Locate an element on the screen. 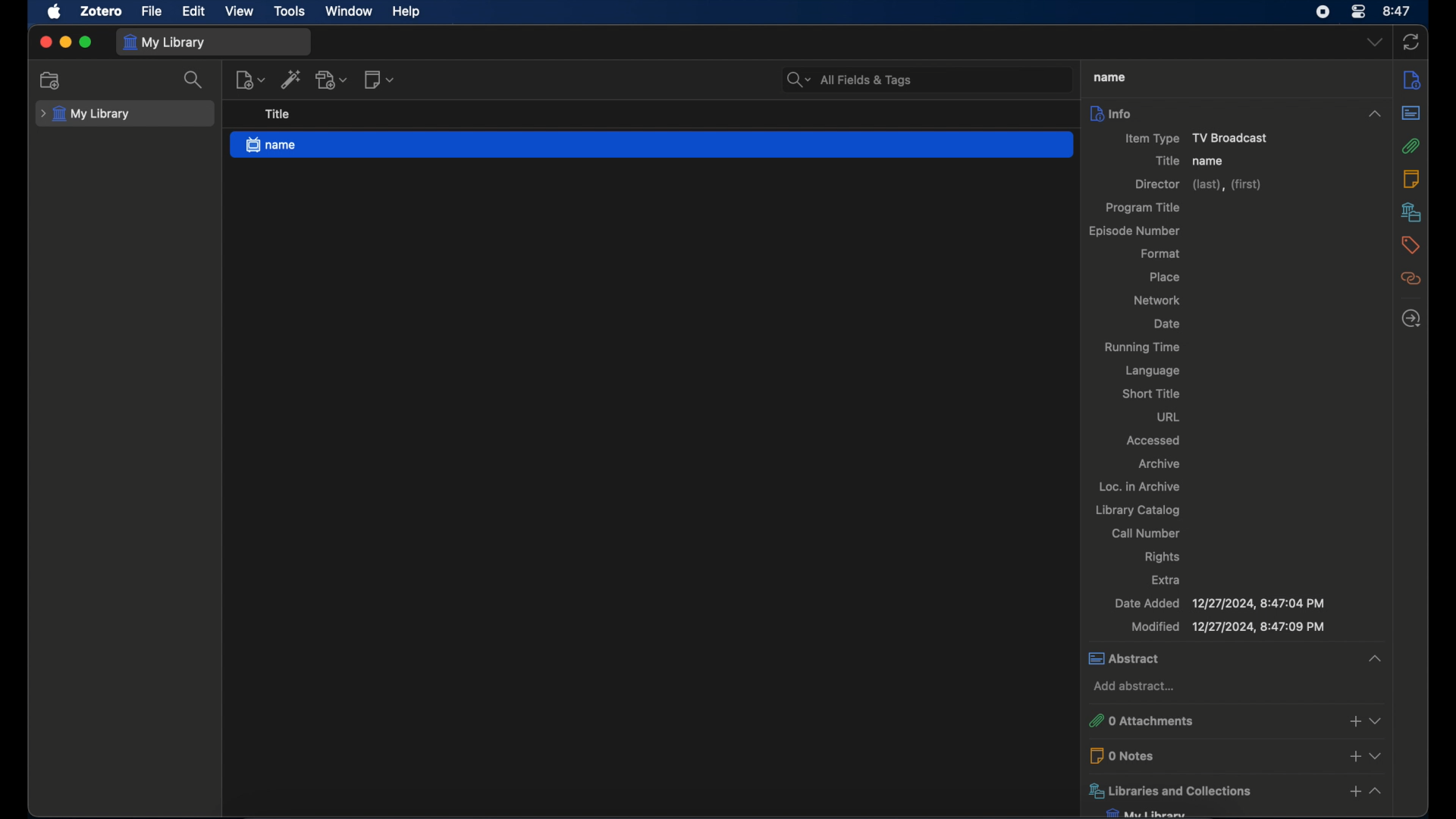  notes is located at coordinates (1410, 178).